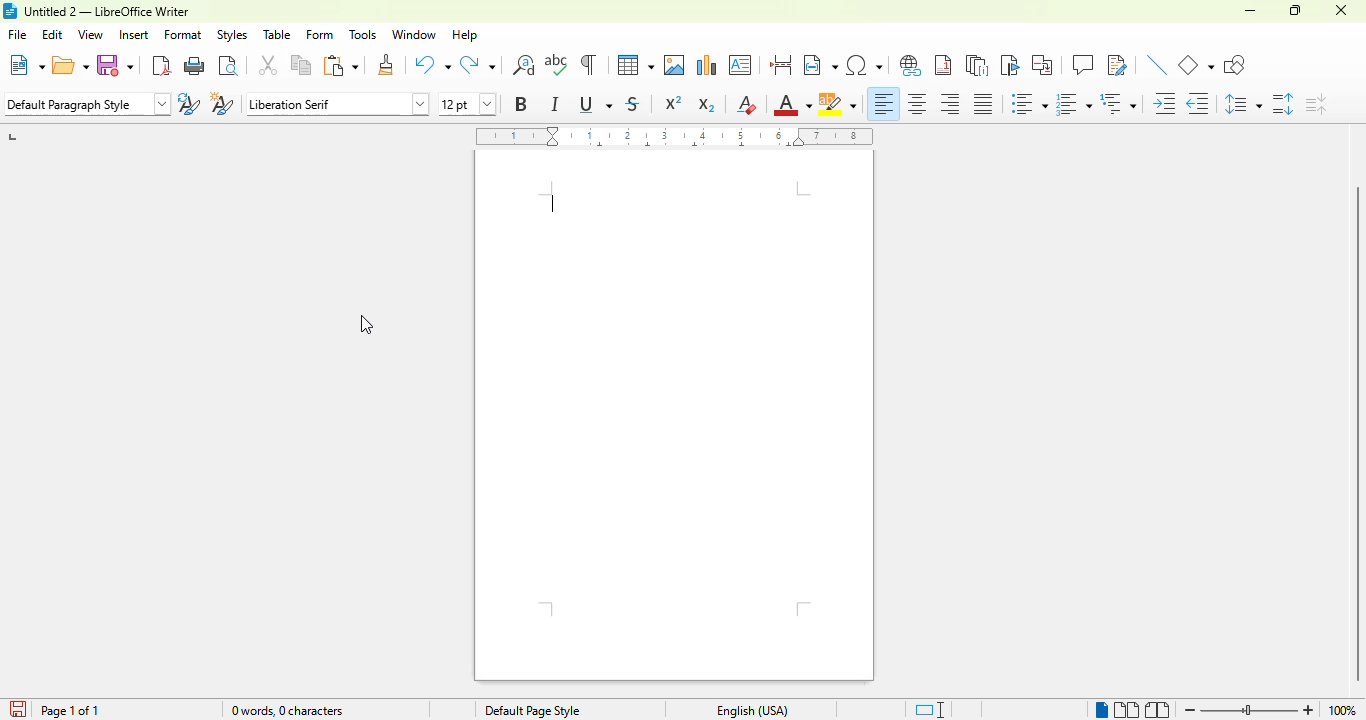  I want to click on undo, so click(433, 66).